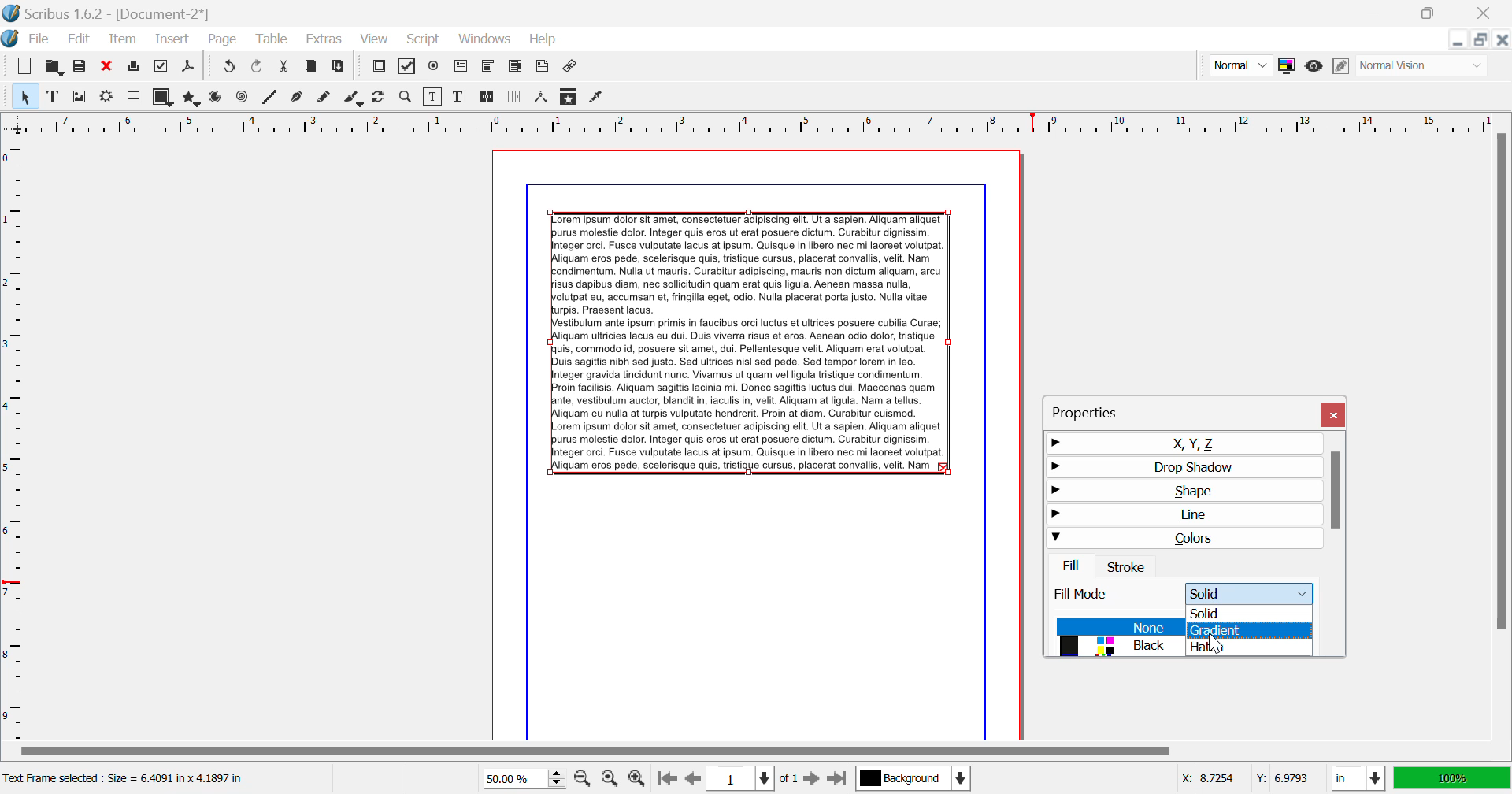 The height and width of the screenshot is (794, 1512). I want to click on Preflight Verifier, so click(162, 66).